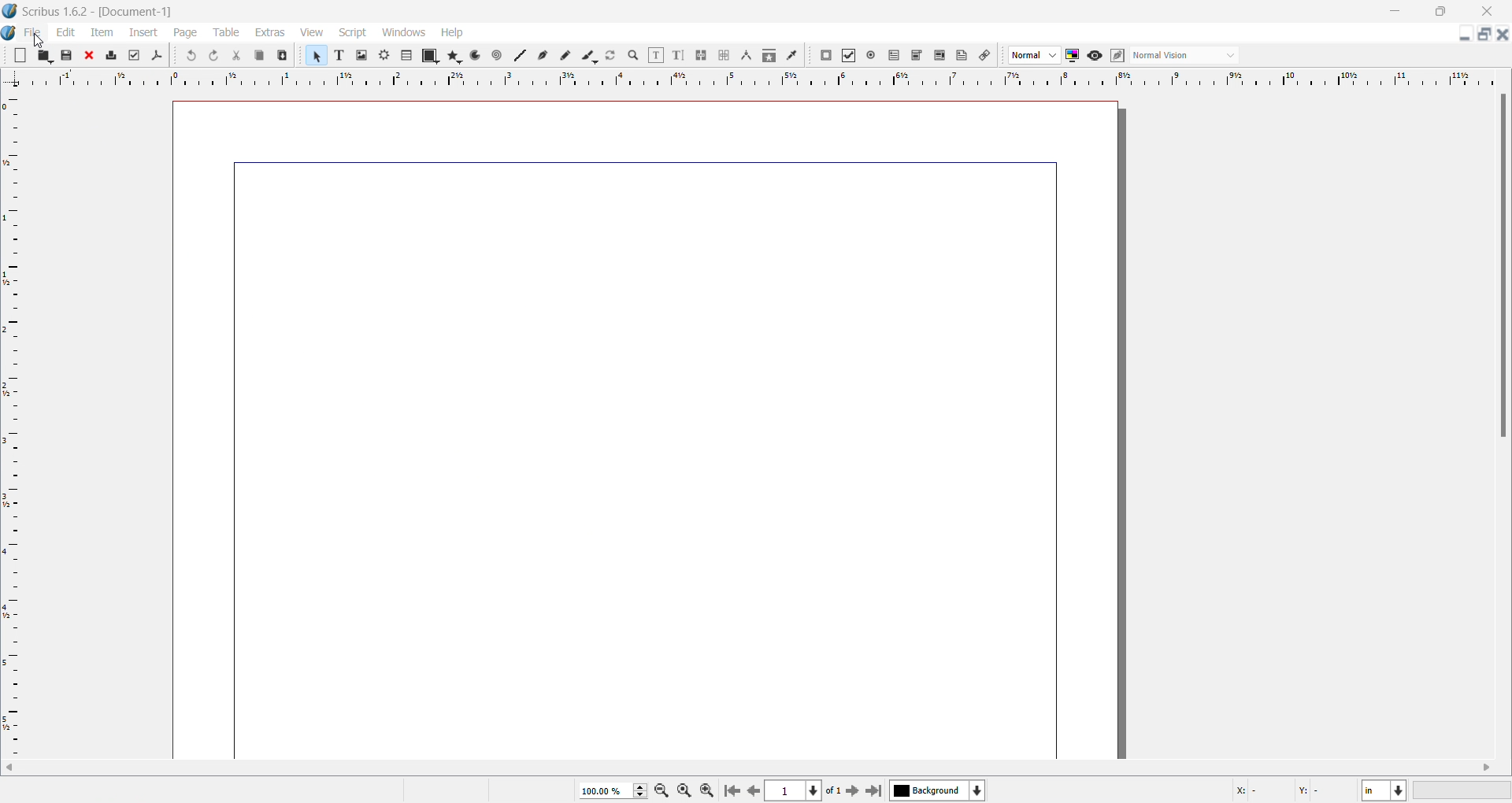 The height and width of the screenshot is (803, 1512). I want to click on icon, so click(159, 56).